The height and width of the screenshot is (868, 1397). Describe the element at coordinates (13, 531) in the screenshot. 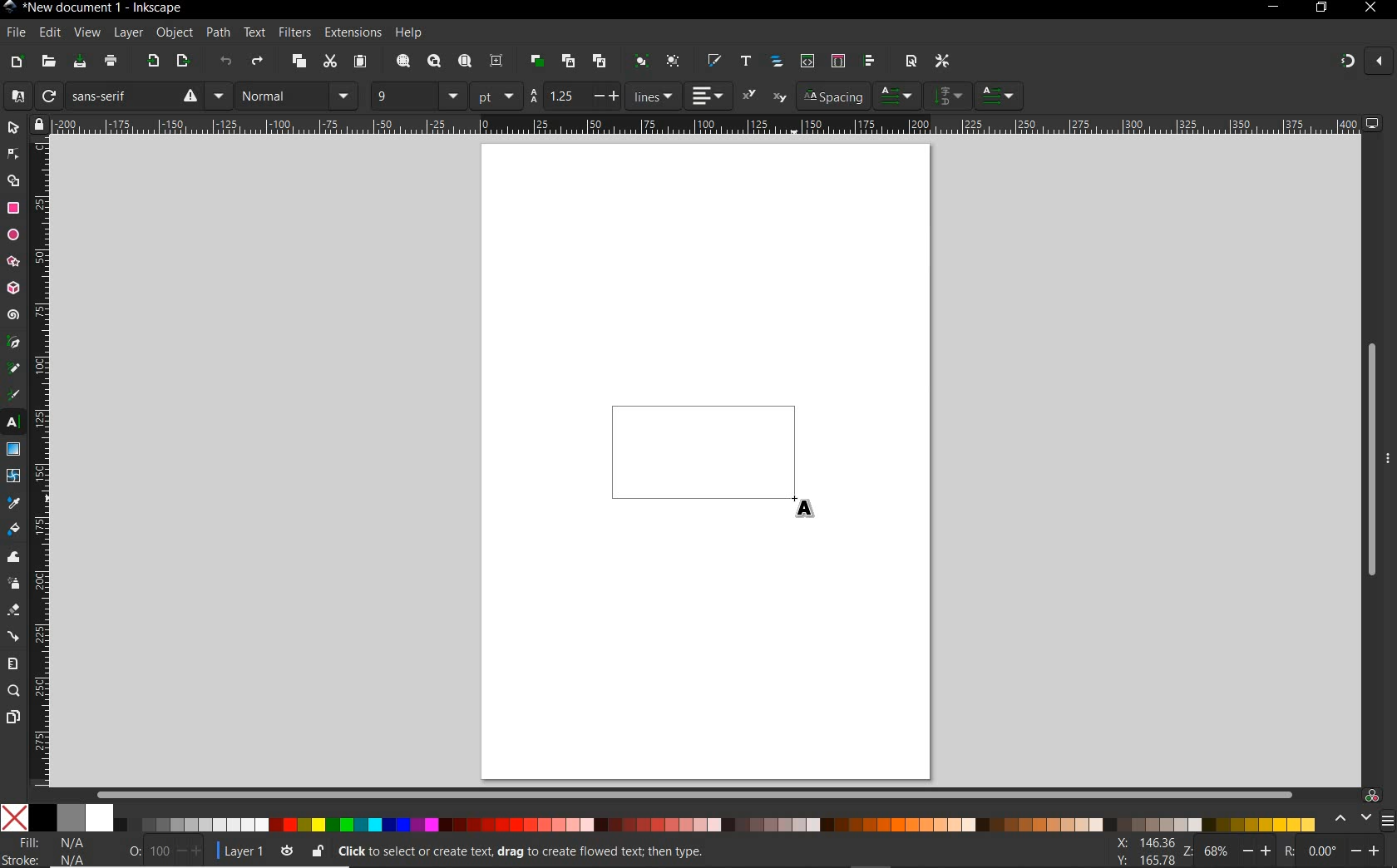

I see `paint bucket tool` at that location.